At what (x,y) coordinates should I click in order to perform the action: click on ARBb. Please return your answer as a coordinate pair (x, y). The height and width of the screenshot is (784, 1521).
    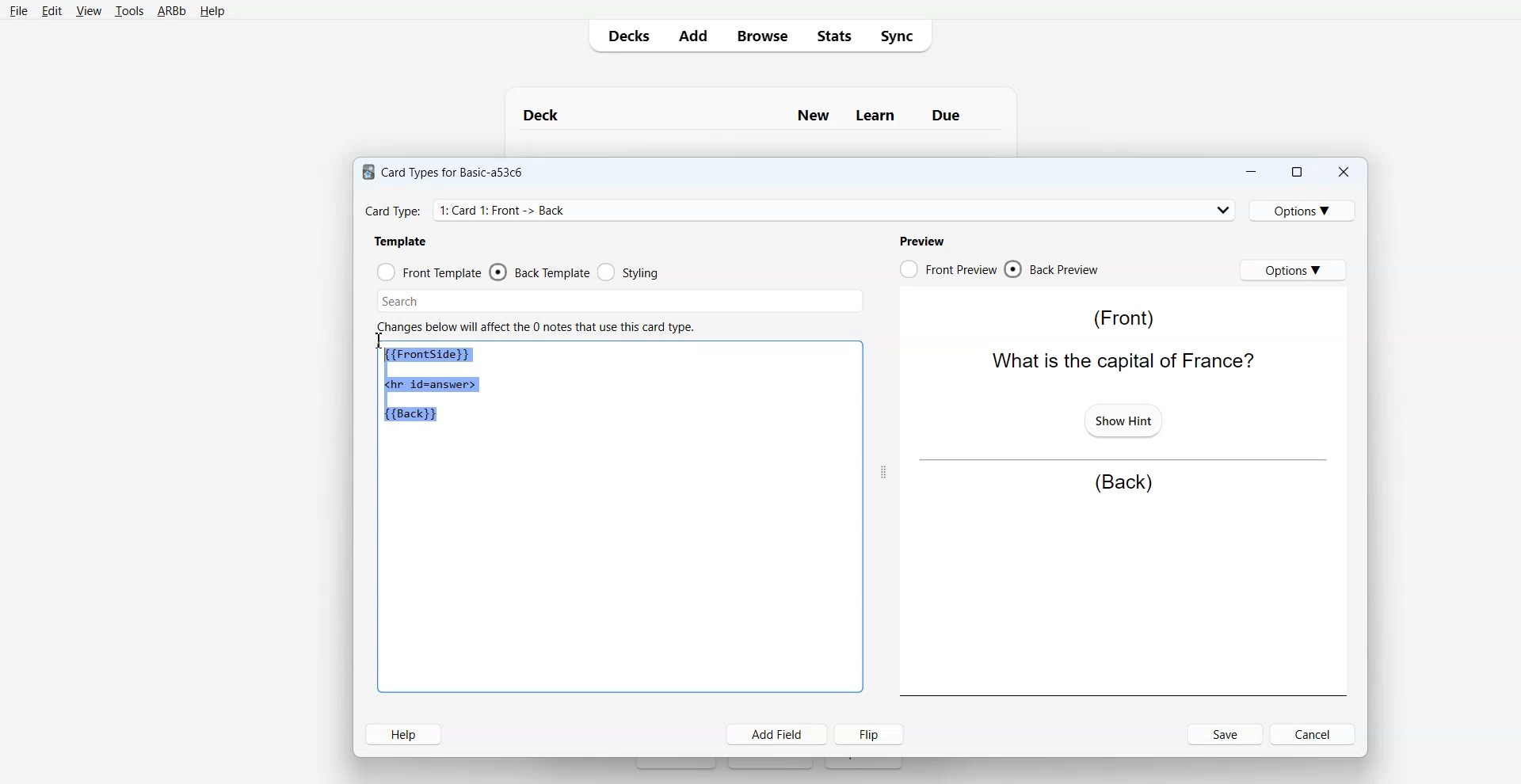
    Looking at the image, I should click on (170, 12).